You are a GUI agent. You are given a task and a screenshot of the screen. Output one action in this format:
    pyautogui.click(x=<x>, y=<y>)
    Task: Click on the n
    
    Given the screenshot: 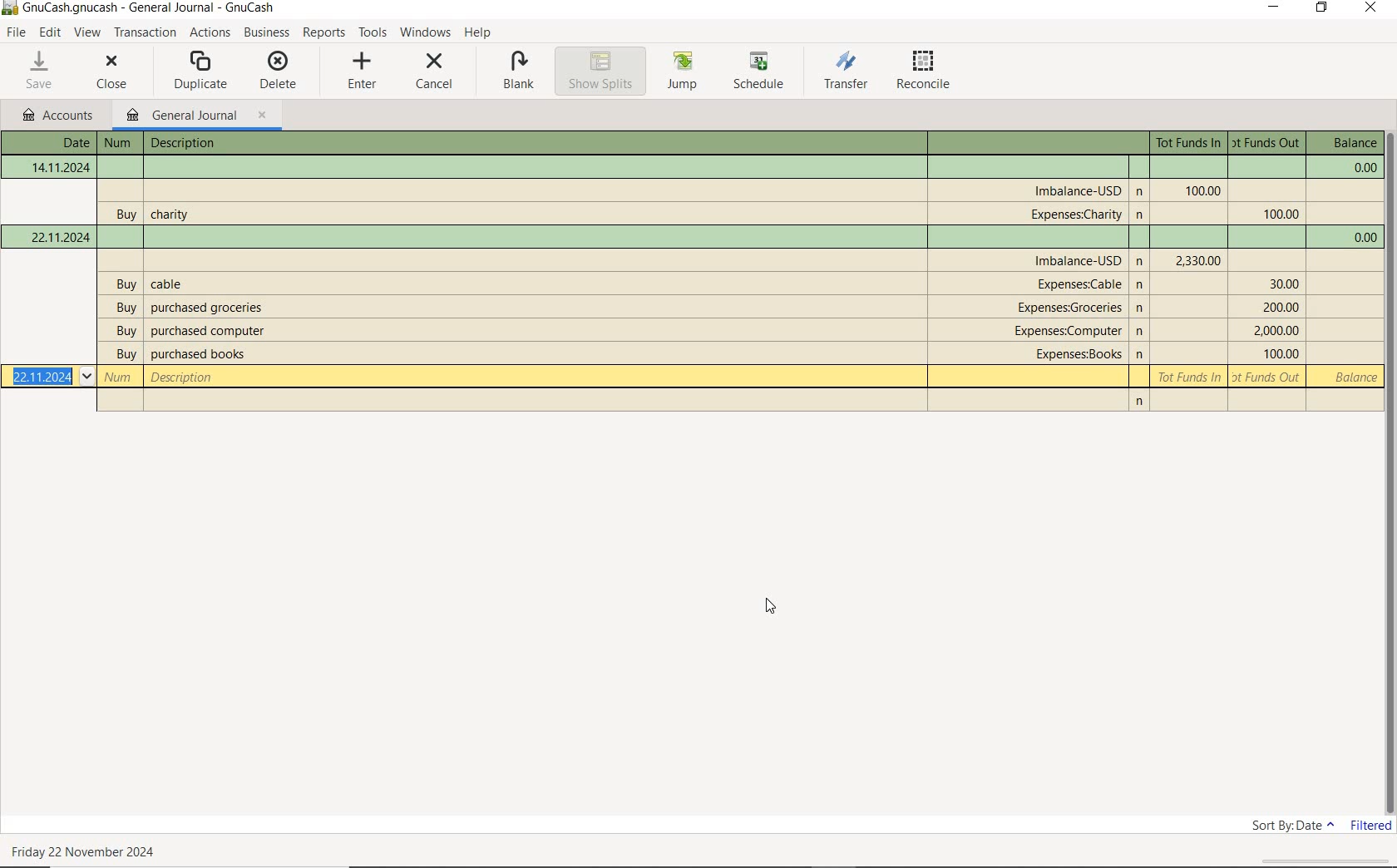 What is the action you would take?
    pyautogui.click(x=1141, y=190)
    